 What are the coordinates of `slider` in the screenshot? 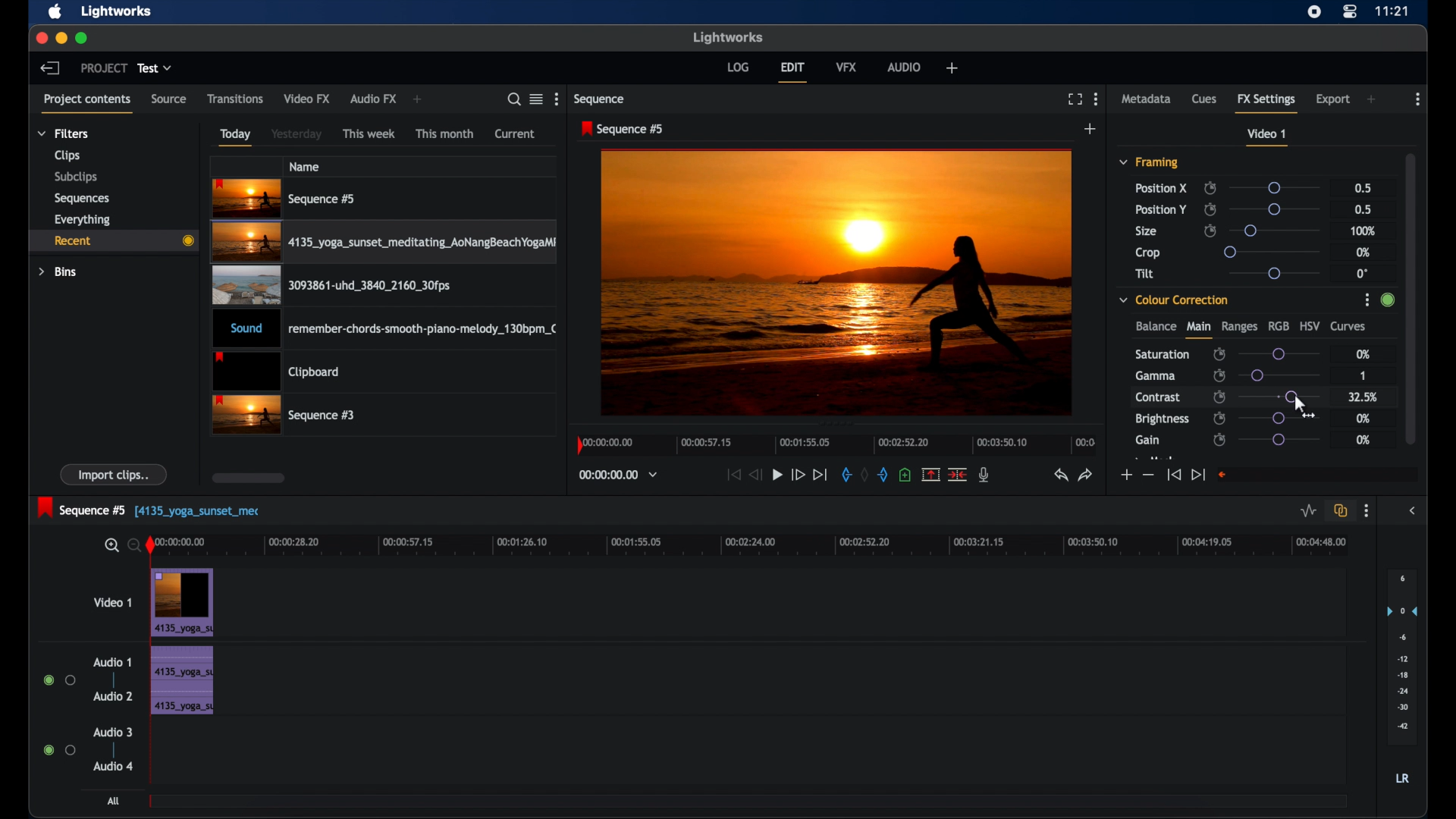 It's located at (1272, 273).